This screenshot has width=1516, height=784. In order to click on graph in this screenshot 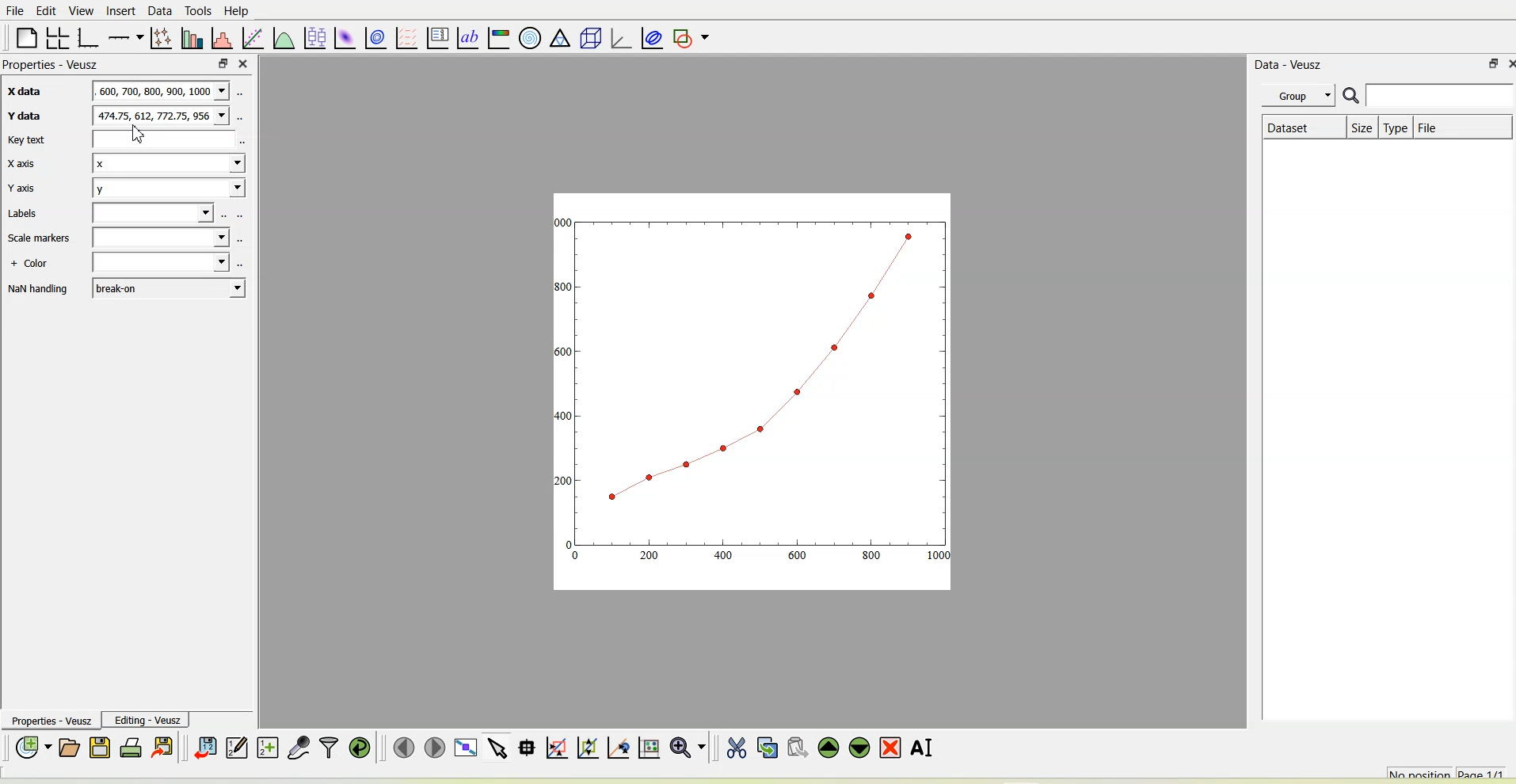, I will do `click(756, 366)`.